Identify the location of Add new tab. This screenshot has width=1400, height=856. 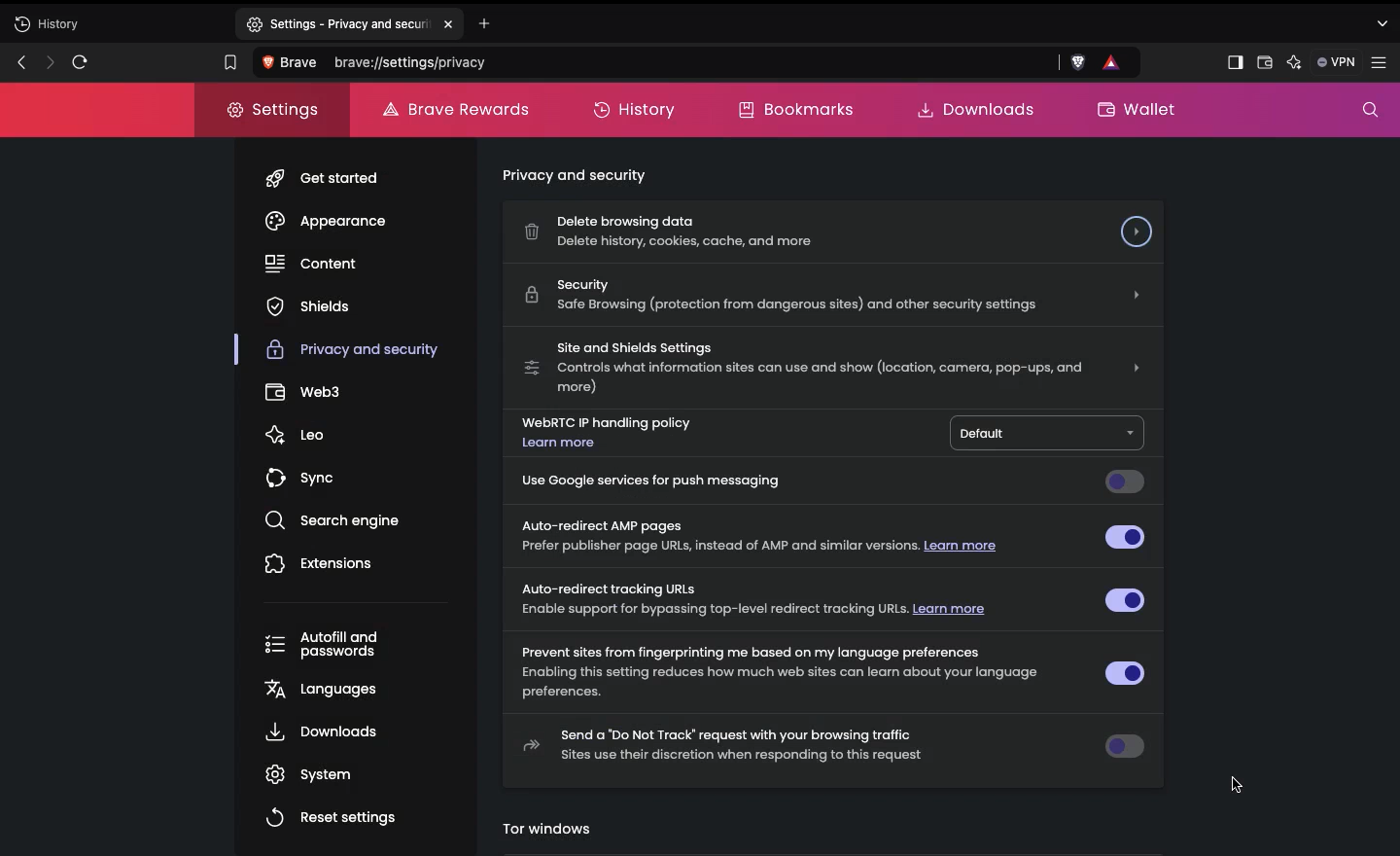
(507, 25).